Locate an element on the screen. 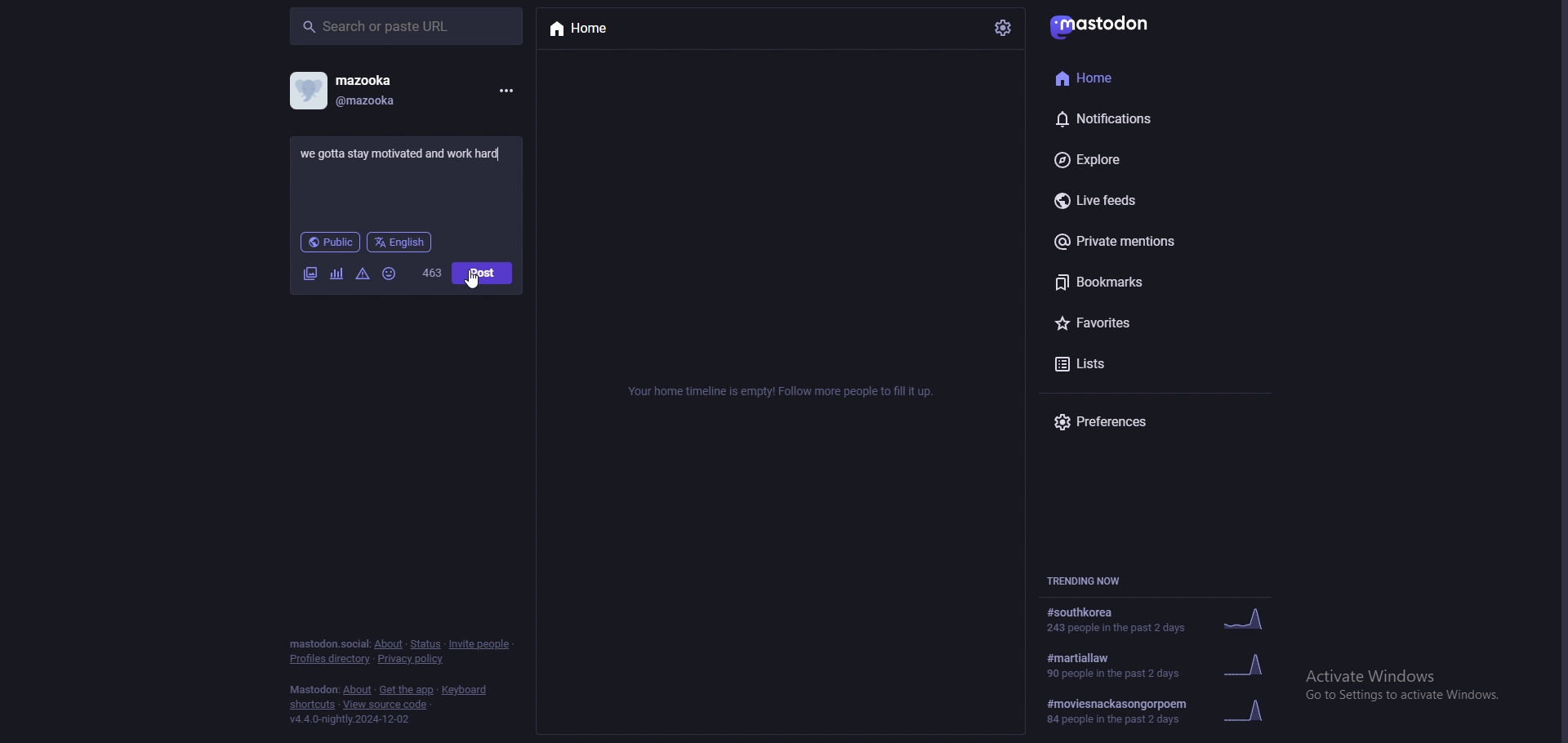 The width and height of the screenshot is (1568, 743). status is located at coordinates (425, 644).